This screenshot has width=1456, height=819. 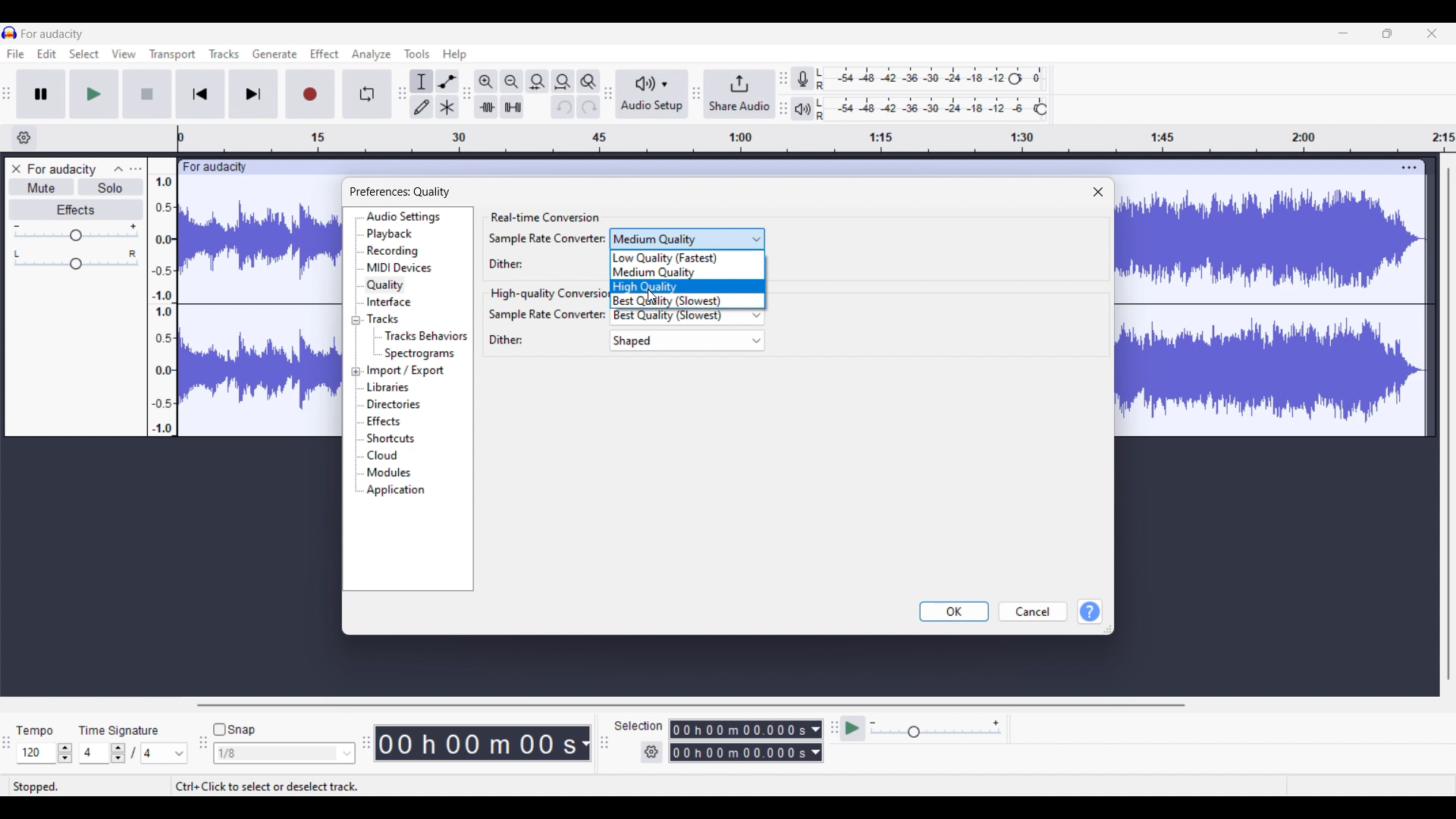 I want to click on Pause, so click(x=41, y=94).